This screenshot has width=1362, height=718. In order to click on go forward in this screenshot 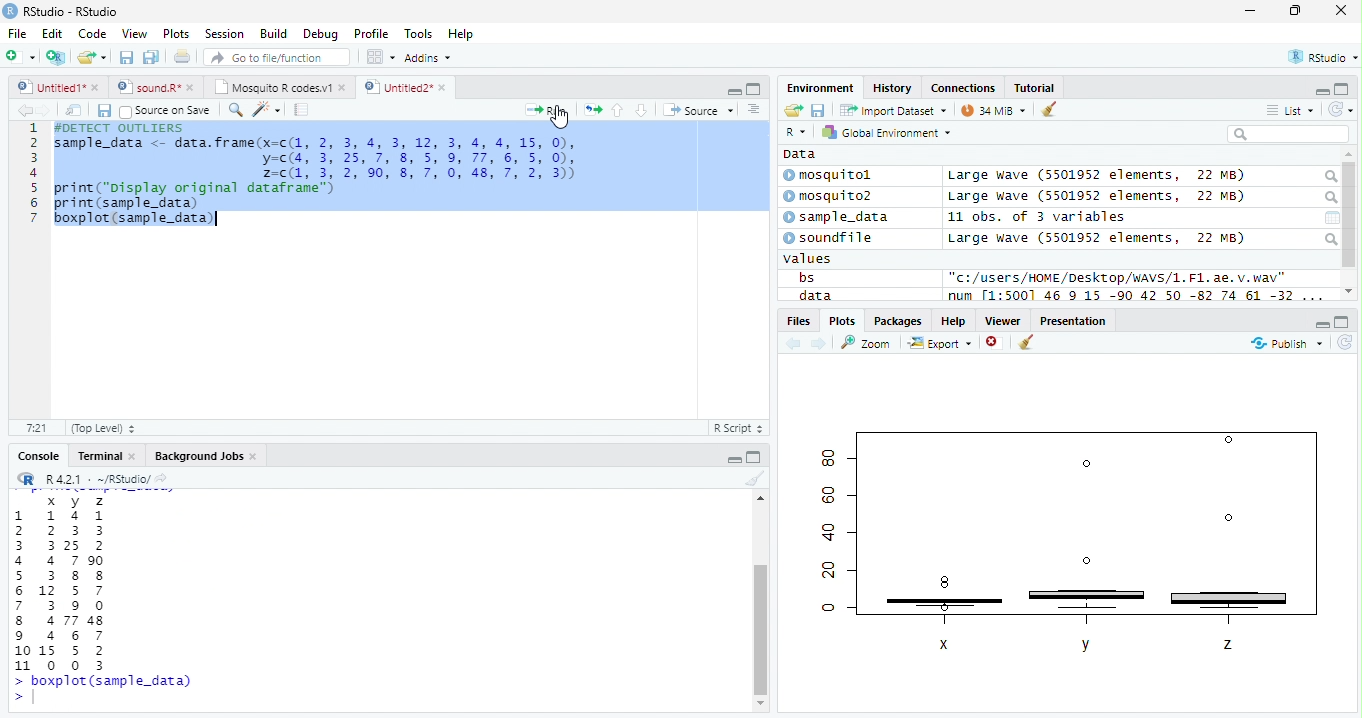, I will do `click(820, 345)`.